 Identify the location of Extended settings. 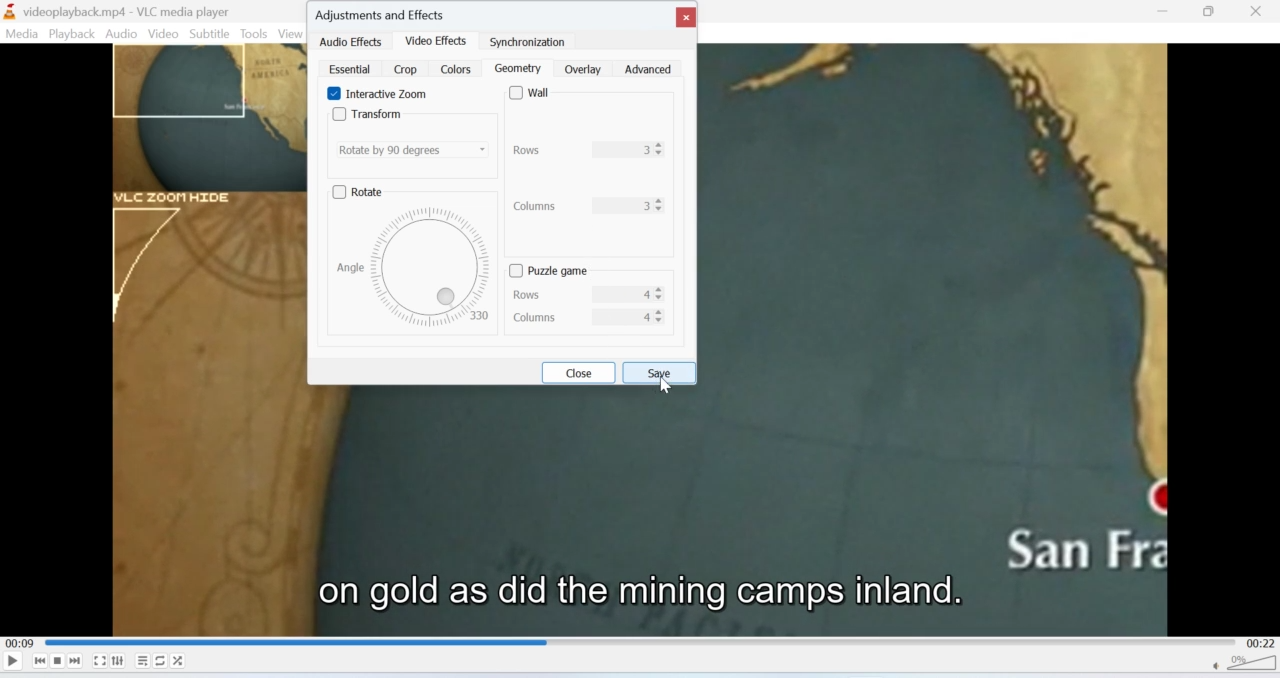
(117, 660).